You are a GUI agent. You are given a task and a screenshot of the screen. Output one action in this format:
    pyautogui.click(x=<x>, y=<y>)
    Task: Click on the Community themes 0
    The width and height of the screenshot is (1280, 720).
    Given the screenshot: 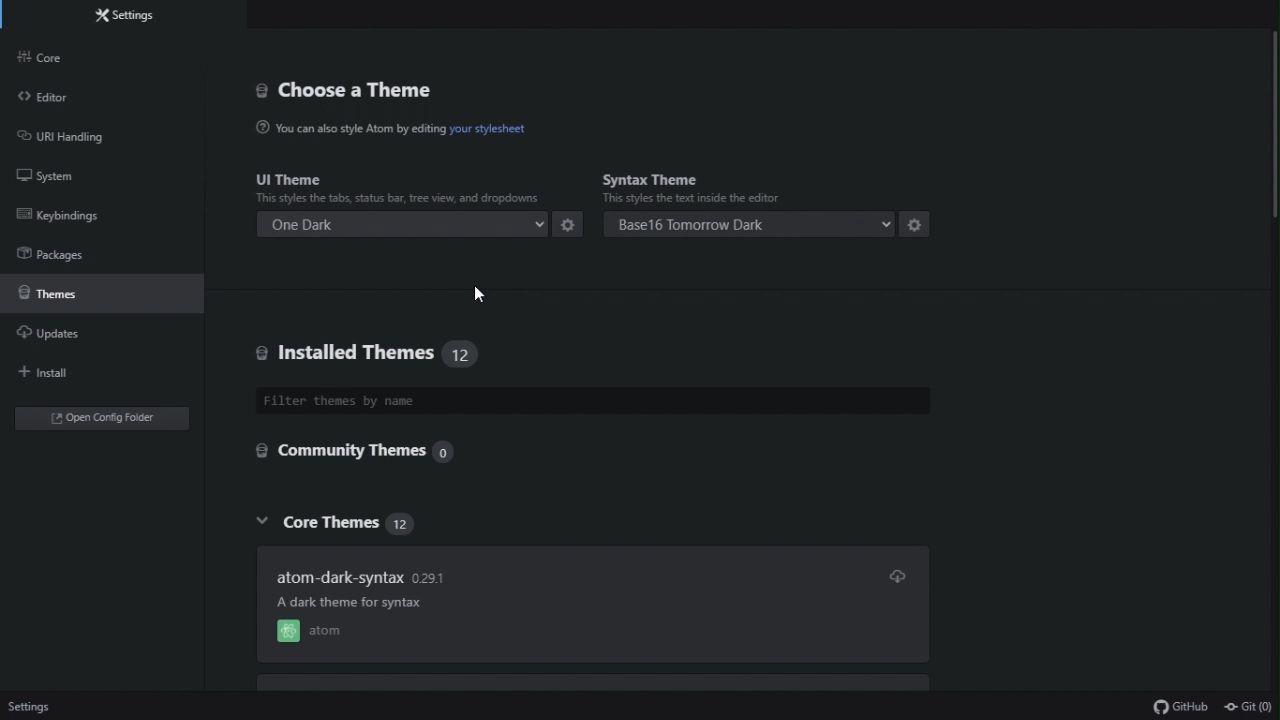 What is the action you would take?
    pyautogui.click(x=374, y=452)
    